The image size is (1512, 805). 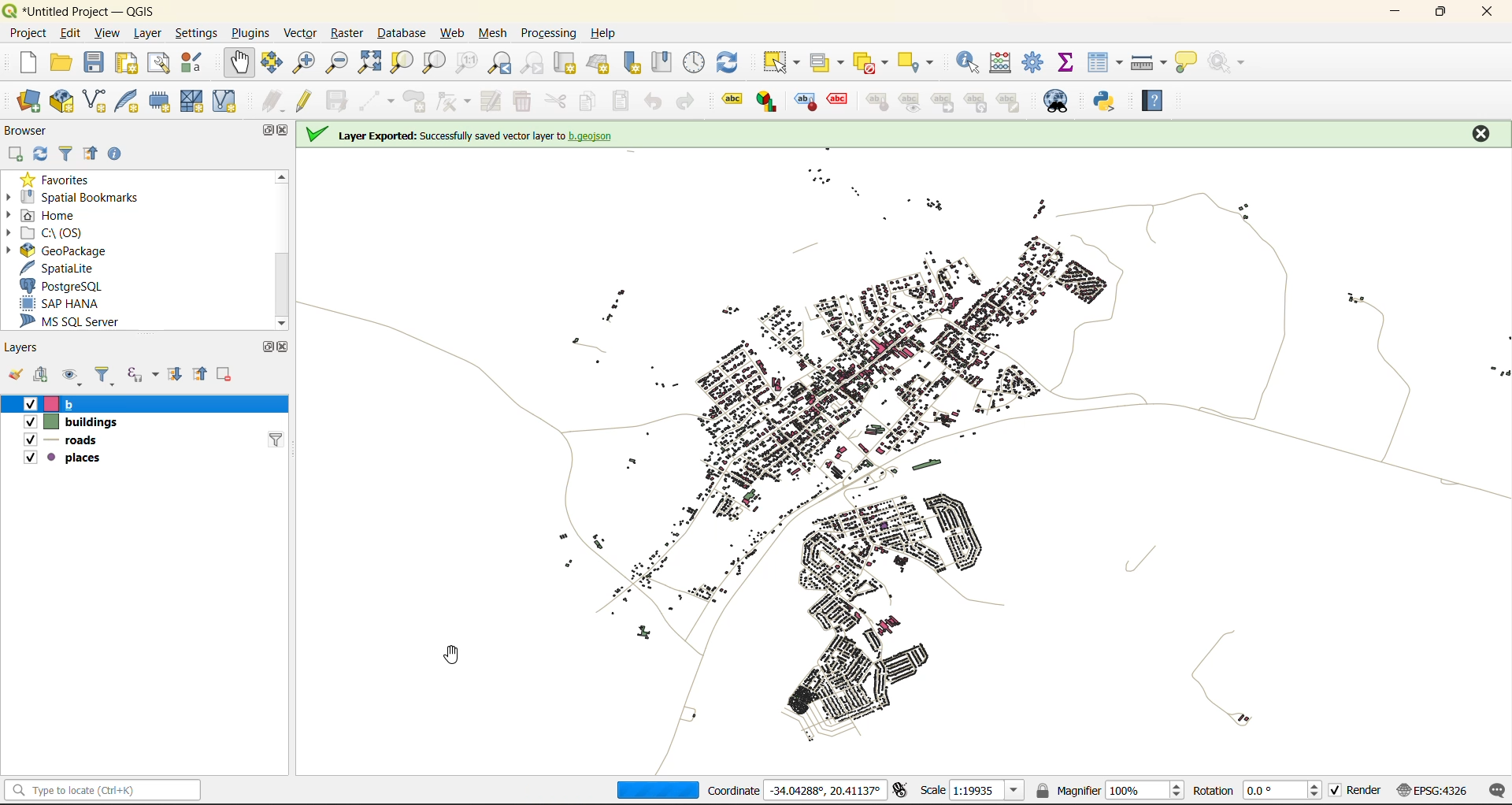 I want to click on roads, so click(x=54, y=438).